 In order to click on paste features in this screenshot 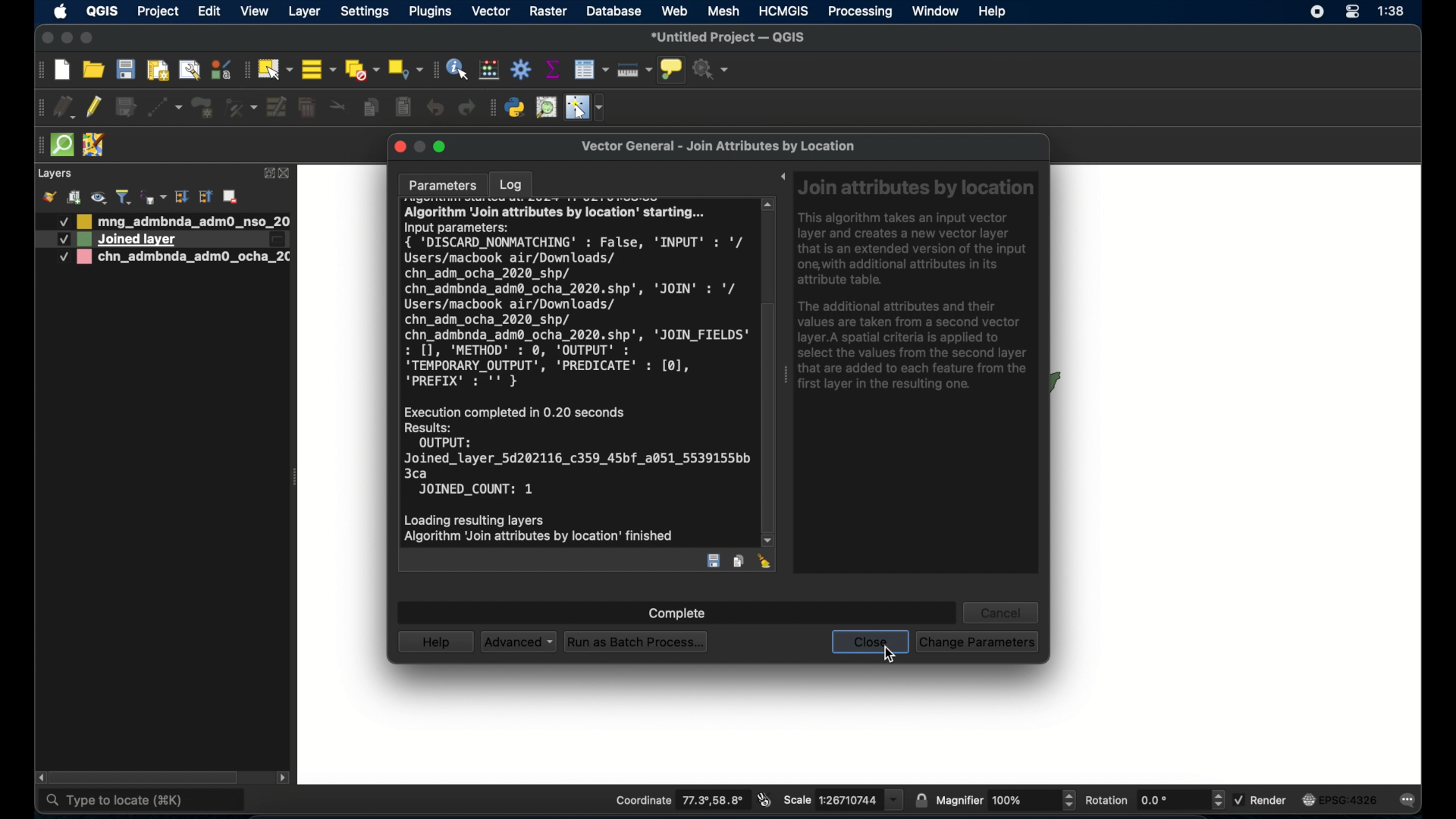, I will do `click(405, 108)`.